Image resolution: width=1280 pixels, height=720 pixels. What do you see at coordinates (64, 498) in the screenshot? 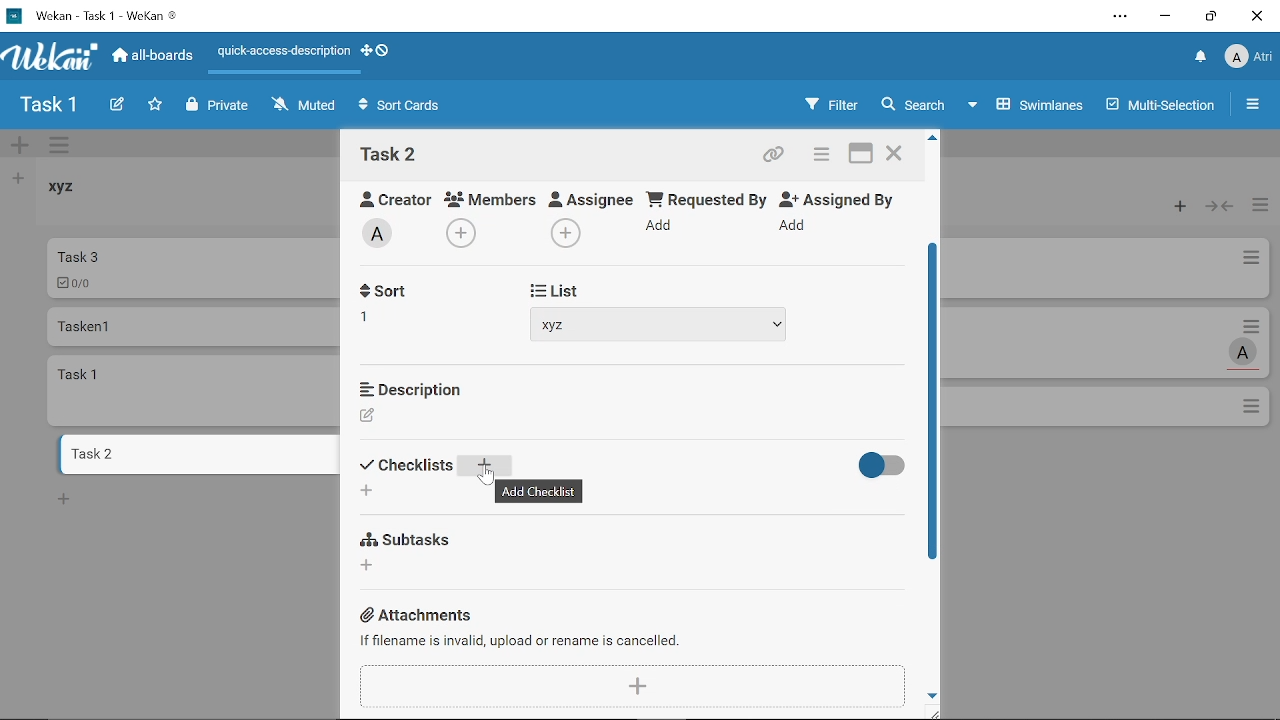
I see `New` at bounding box center [64, 498].